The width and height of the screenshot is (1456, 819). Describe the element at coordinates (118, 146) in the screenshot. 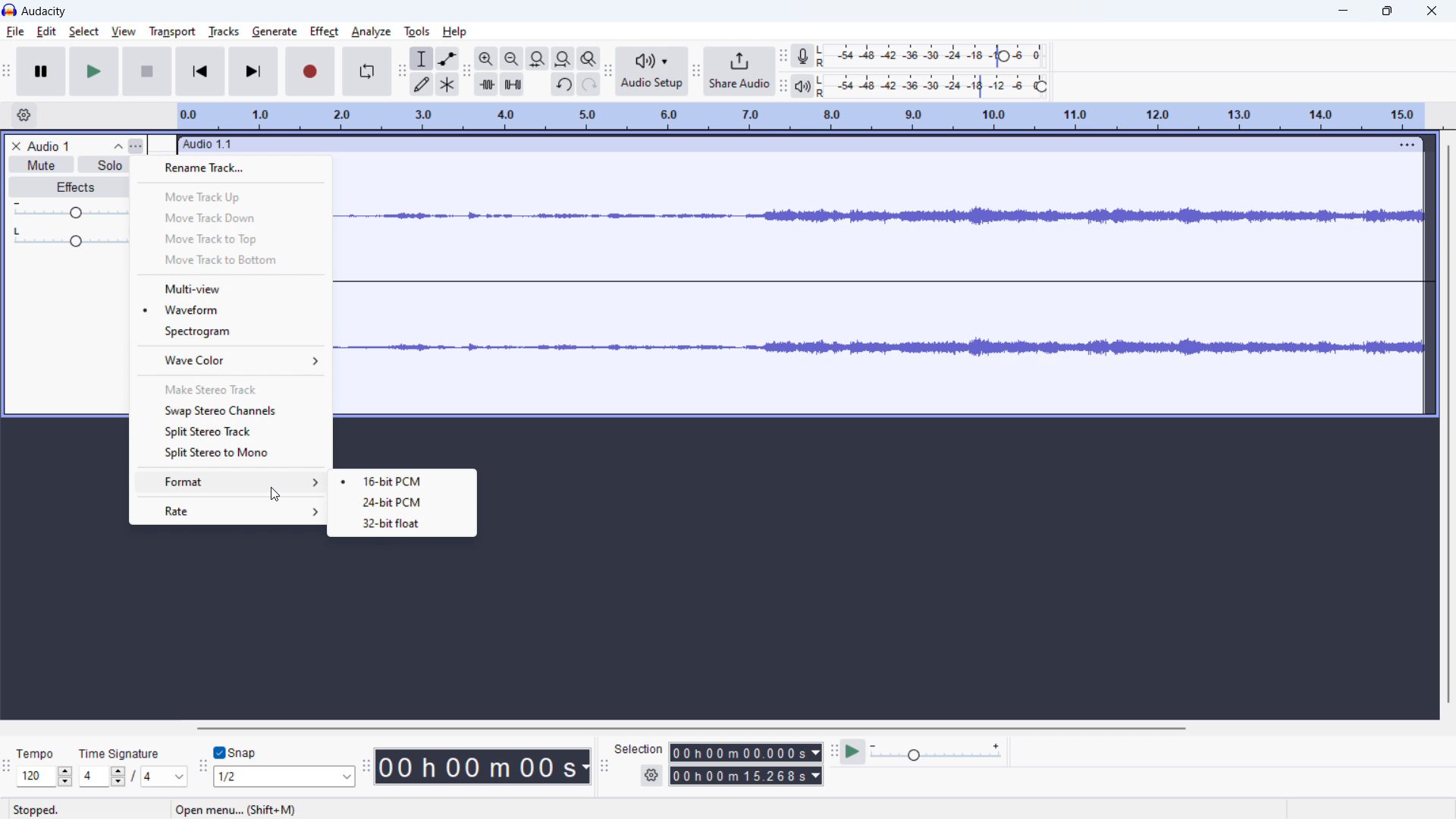

I see `collapse` at that location.